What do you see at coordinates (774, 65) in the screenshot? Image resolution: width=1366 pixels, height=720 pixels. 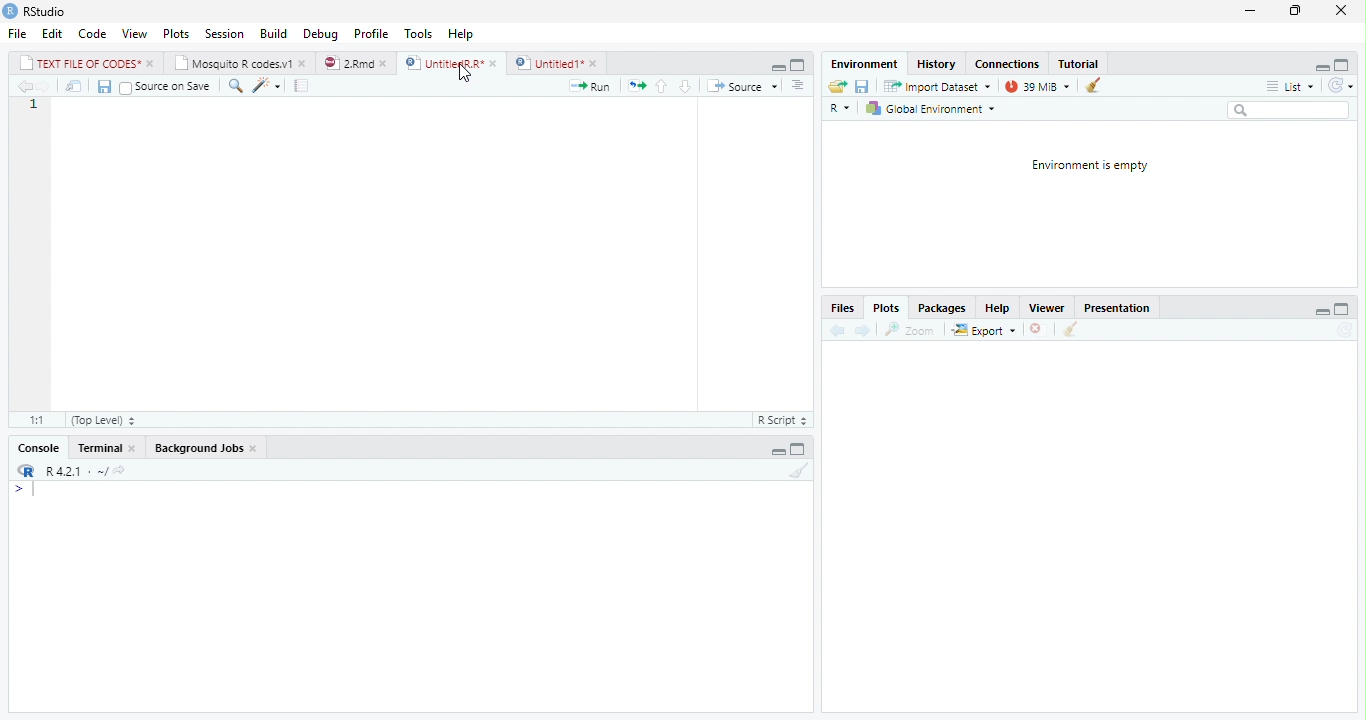 I see `Minimize` at bounding box center [774, 65].